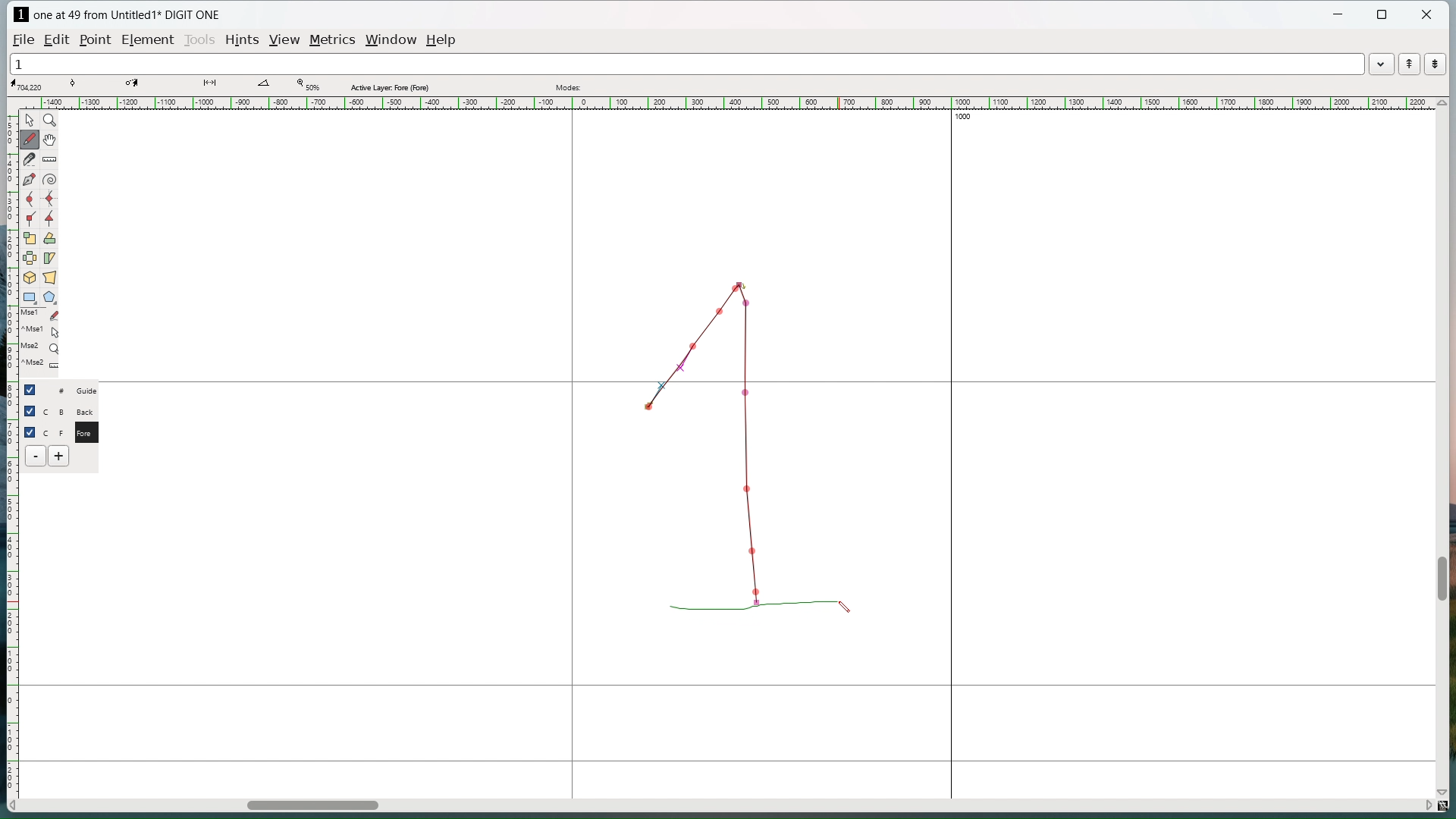 The height and width of the screenshot is (819, 1456). What do you see at coordinates (36, 456) in the screenshot?
I see `delete layer` at bounding box center [36, 456].